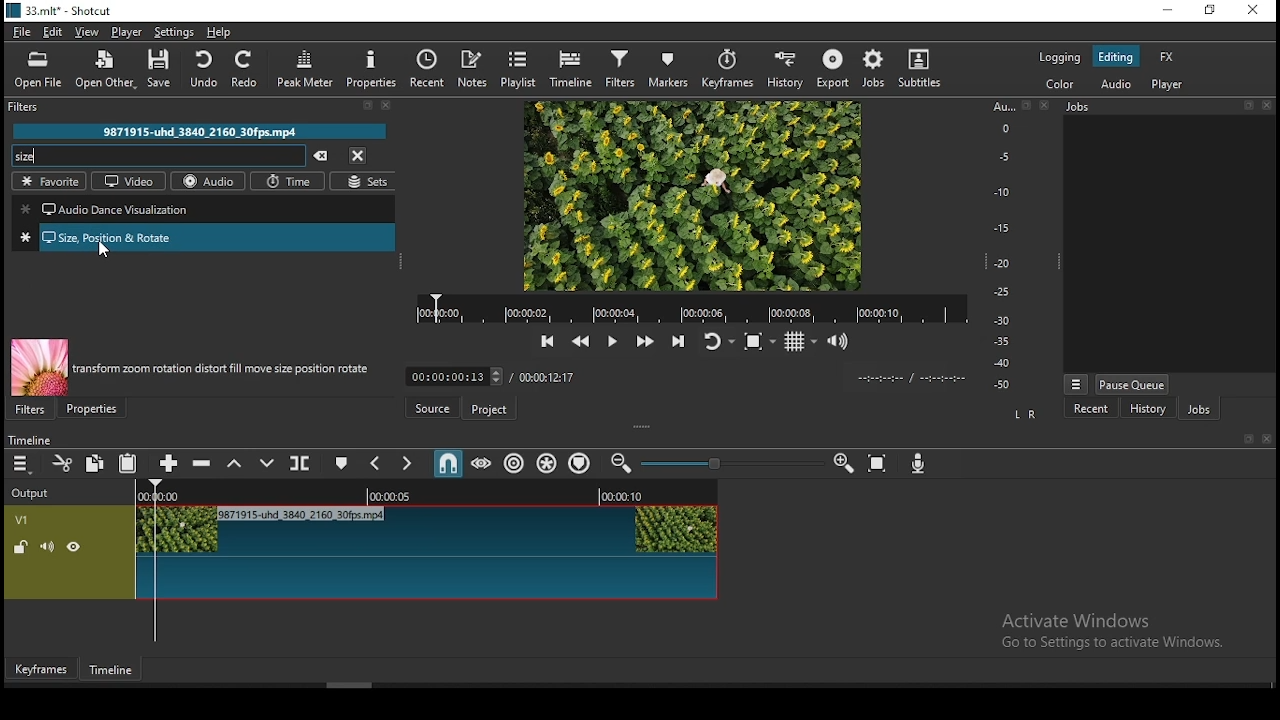 This screenshot has height=720, width=1280. What do you see at coordinates (168, 464) in the screenshot?
I see `append` at bounding box center [168, 464].